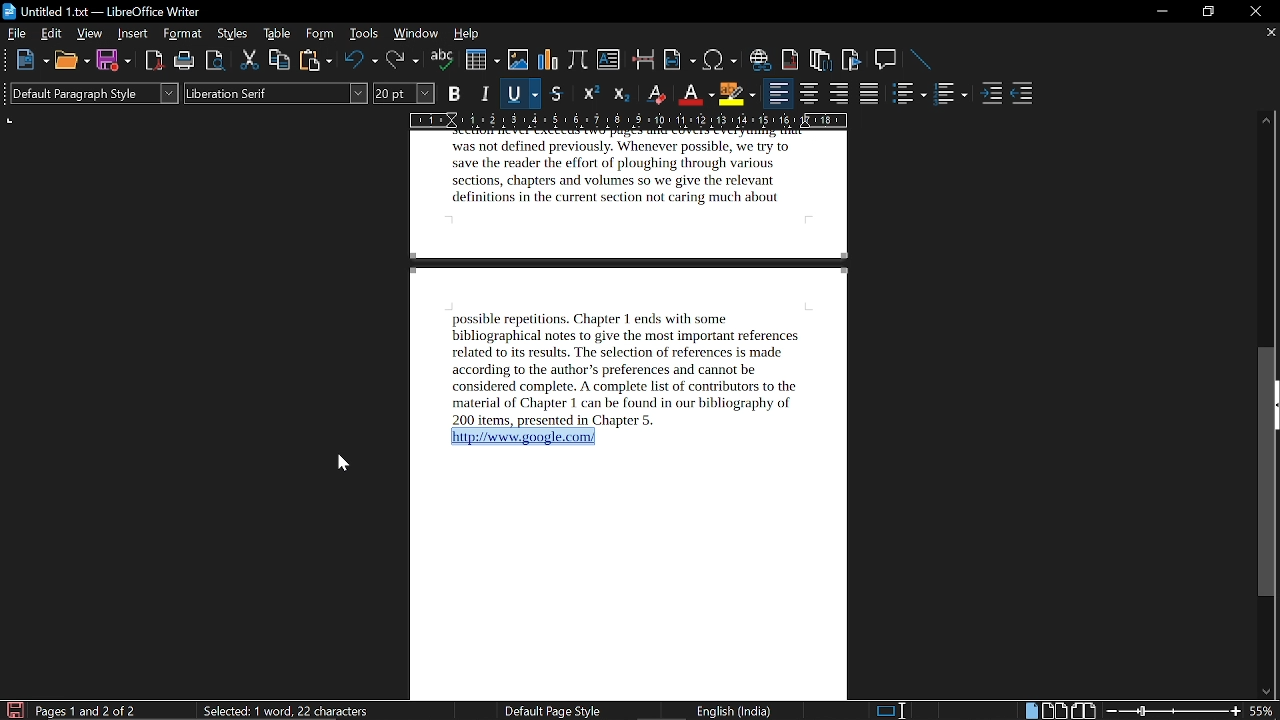 The image size is (1280, 720). I want to click on insert endnote, so click(821, 61).